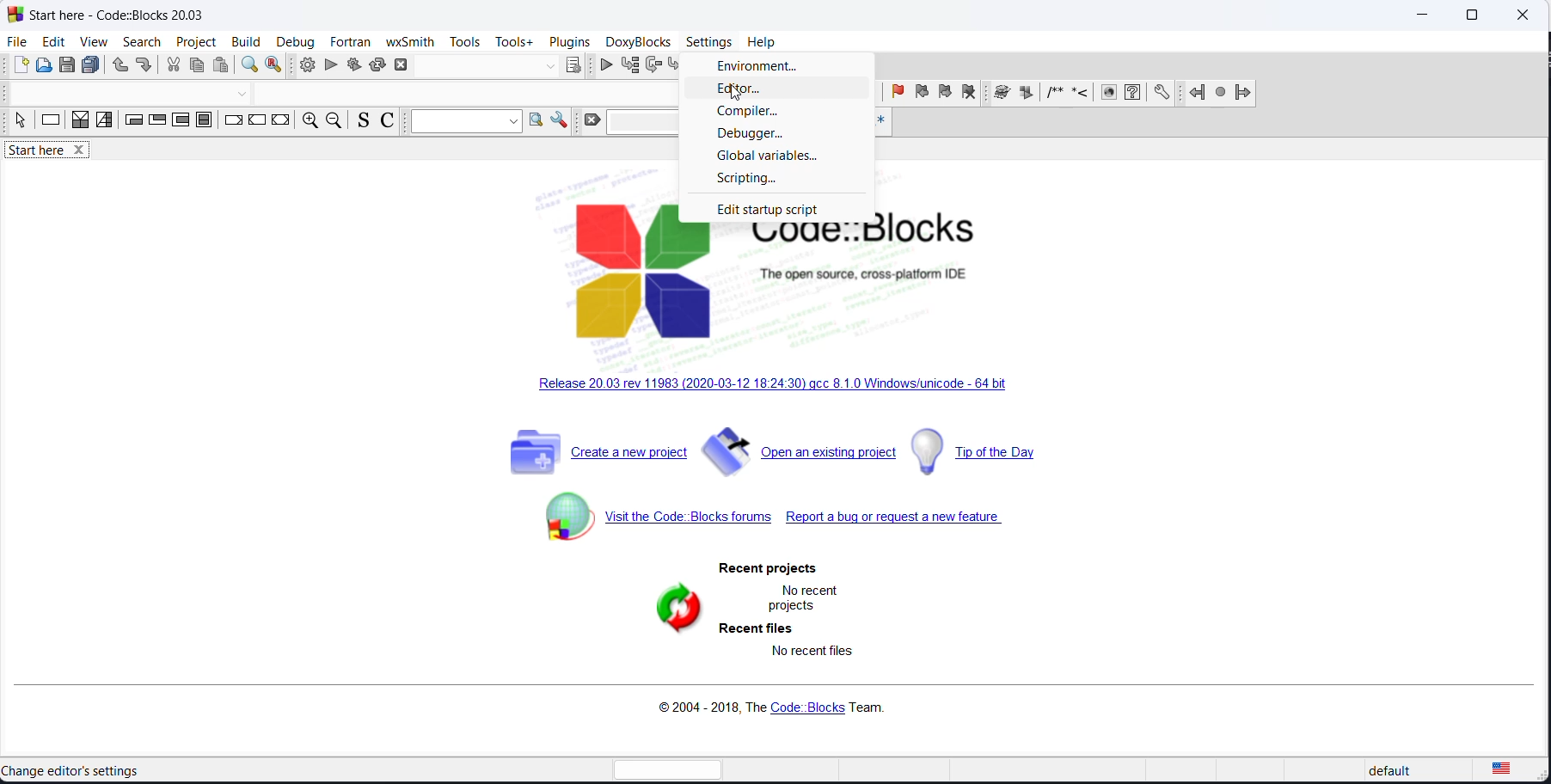 This screenshot has width=1551, height=784. Describe the element at coordinates (359, 123) in the screenshot. I see `source comments` at that location.